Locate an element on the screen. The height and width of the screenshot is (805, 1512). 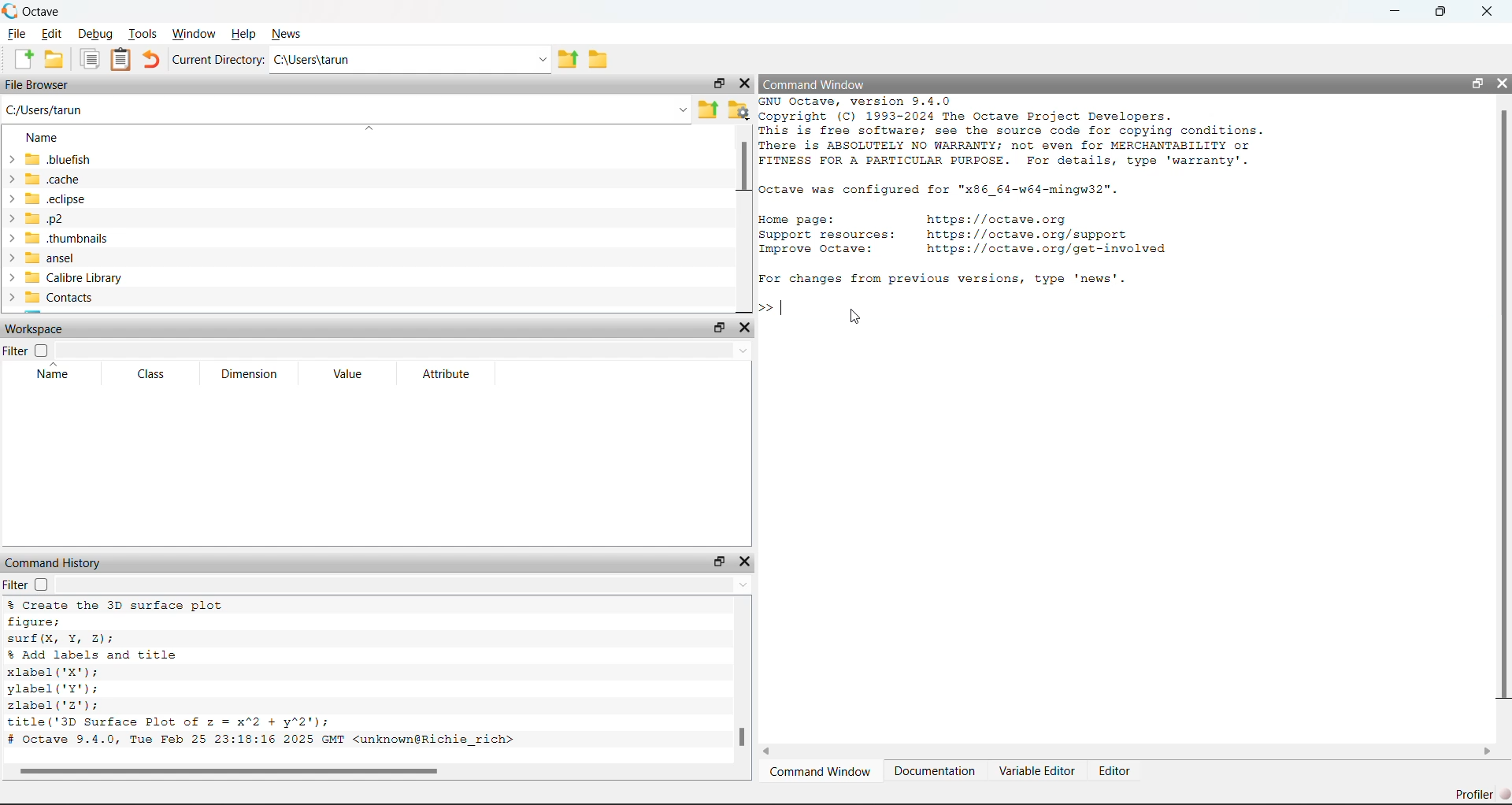
GNU Octave, version 9.4.0

copyright (C) 1993-2024 The Octave Project Developers.

This is free software; see the source code for copying conditions.
There is ABSOLUTELY NO WARRANTY; not even for MERCHANTABILITY or
FITNESS FOR A PARTICULAR PURPOSE. For details, type 'warranty'. is located at coordinates (1021, 132).